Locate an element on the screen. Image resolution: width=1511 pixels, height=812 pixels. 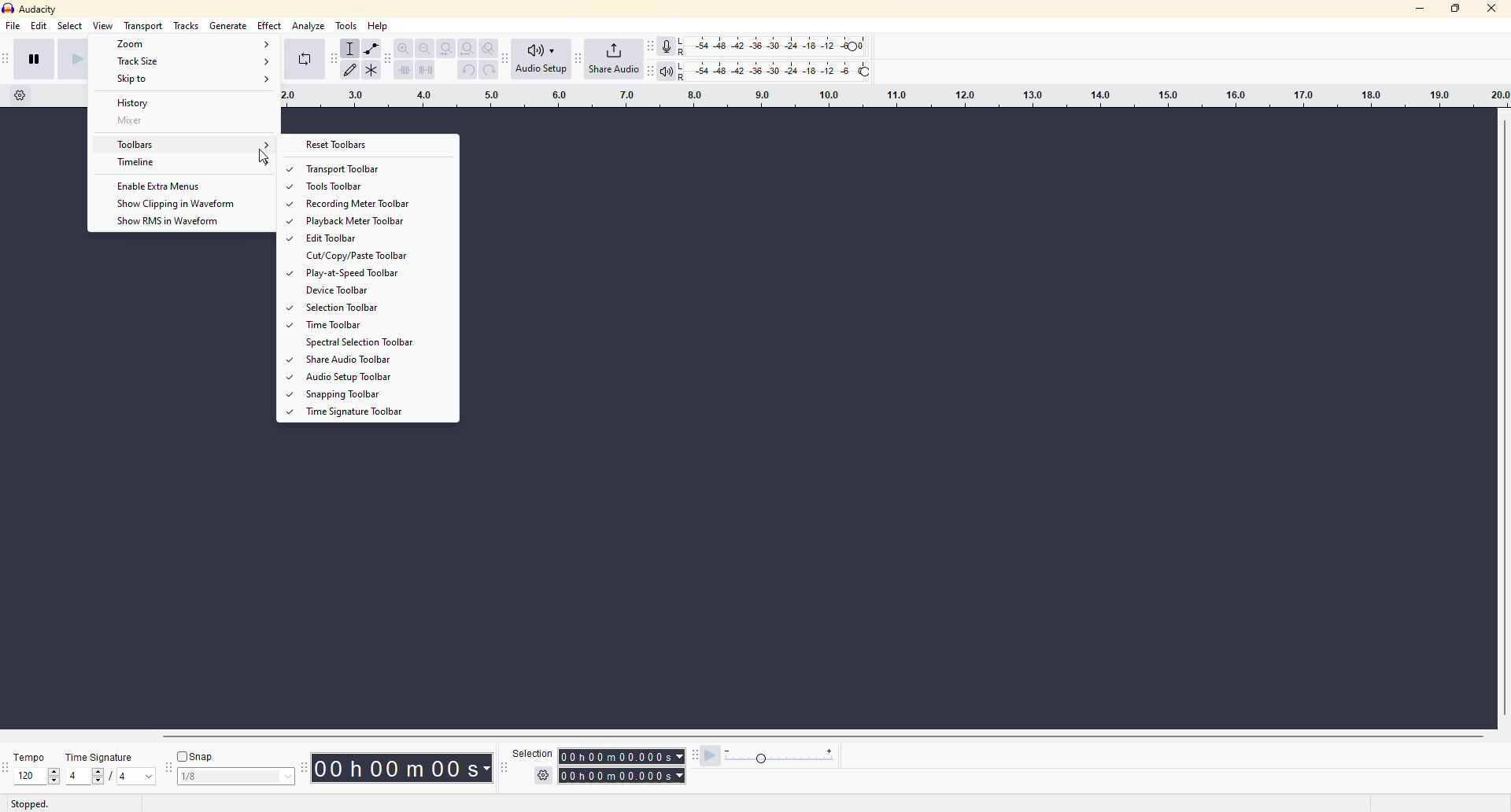
fit project to width is located at coordinates (467, 48).